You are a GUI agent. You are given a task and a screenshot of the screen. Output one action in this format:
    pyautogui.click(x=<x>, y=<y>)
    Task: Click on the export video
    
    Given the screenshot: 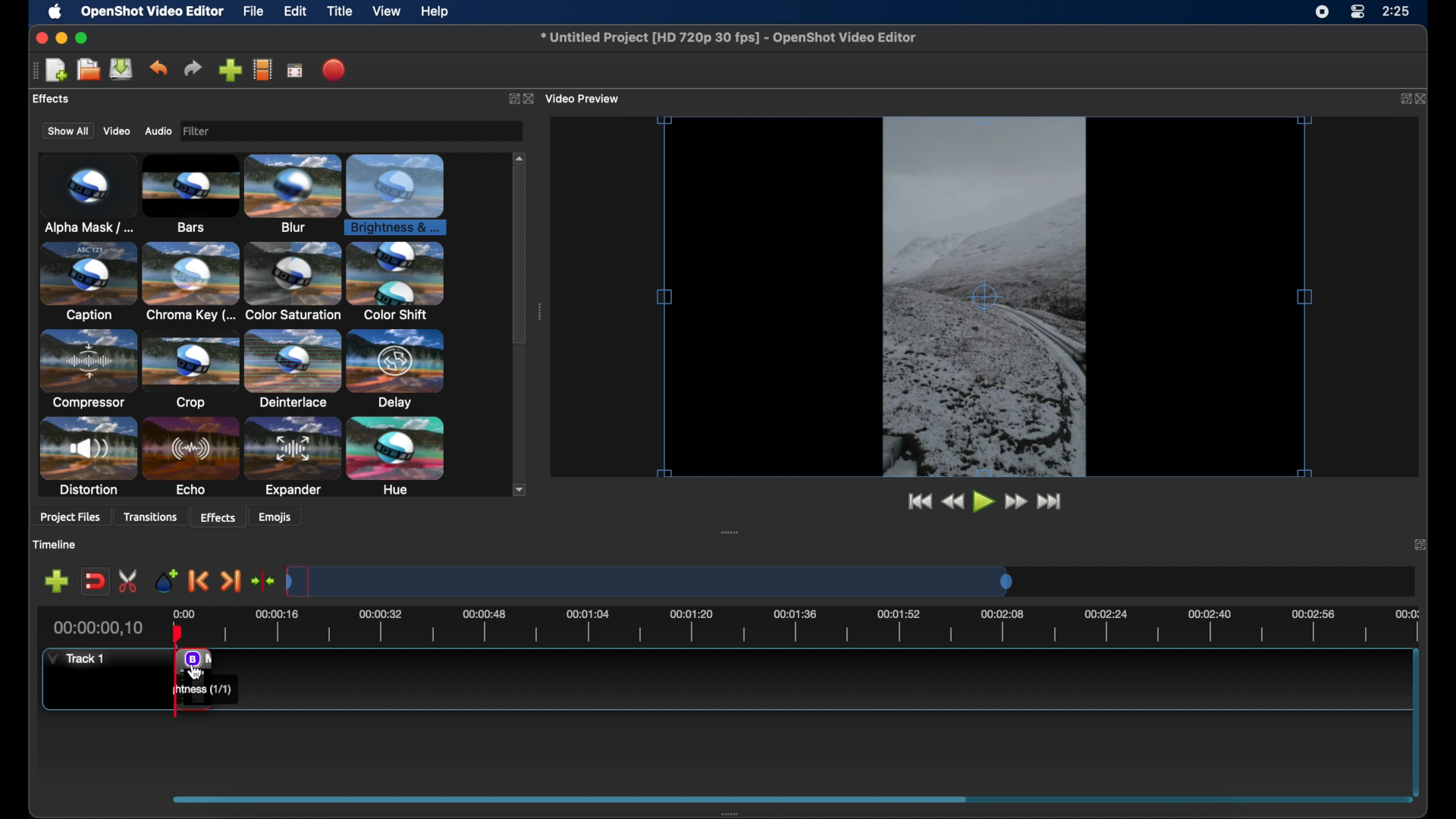 What is the action you would take?
    pyautogui.click(x=334, y=69)
    